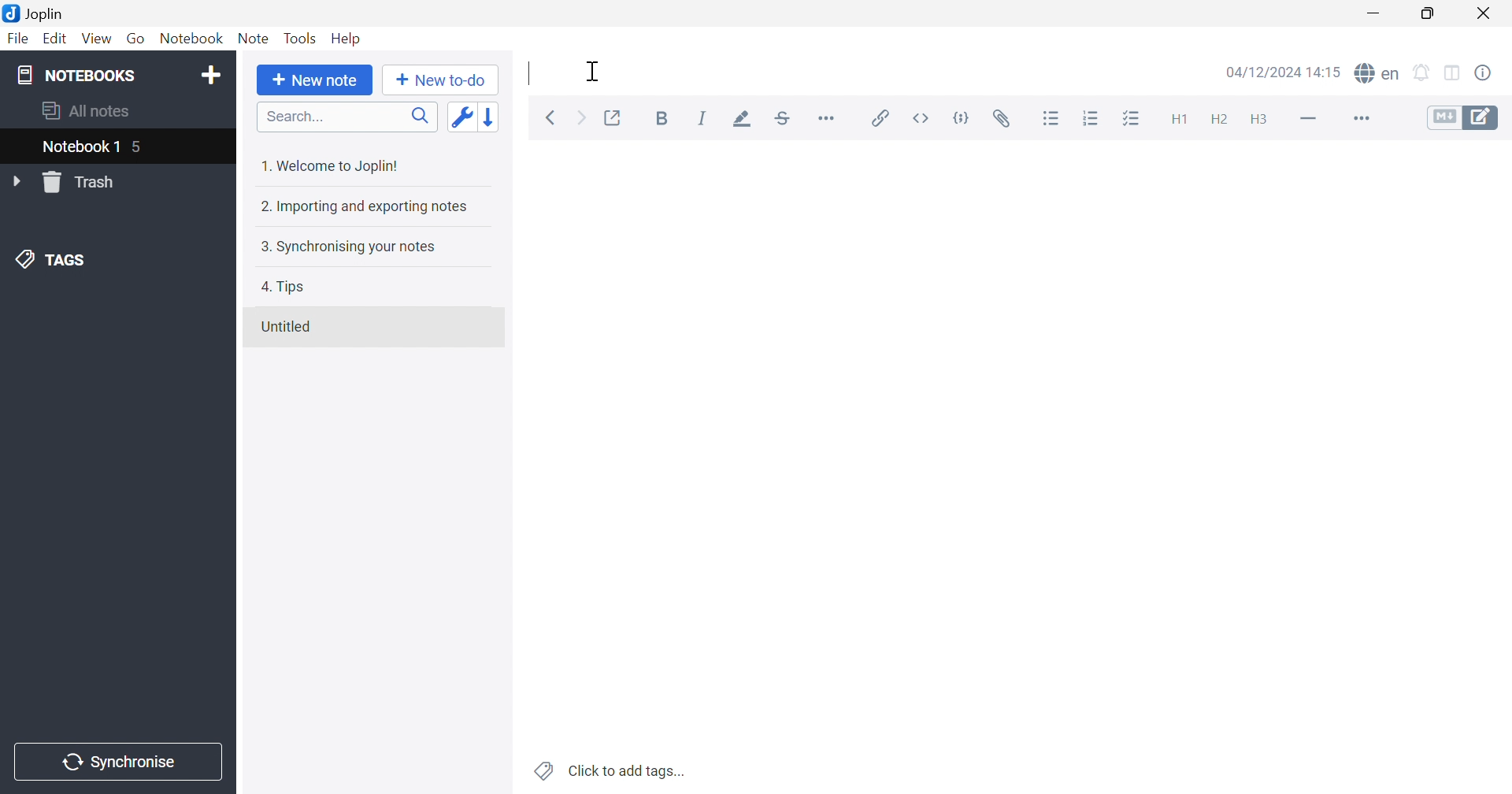 The width and height of the screenshot is (1512, 794). What do you see at coordinates (784, 119) in the screenshot?
I see `Strikethrough` at bounding box center [784, 119].